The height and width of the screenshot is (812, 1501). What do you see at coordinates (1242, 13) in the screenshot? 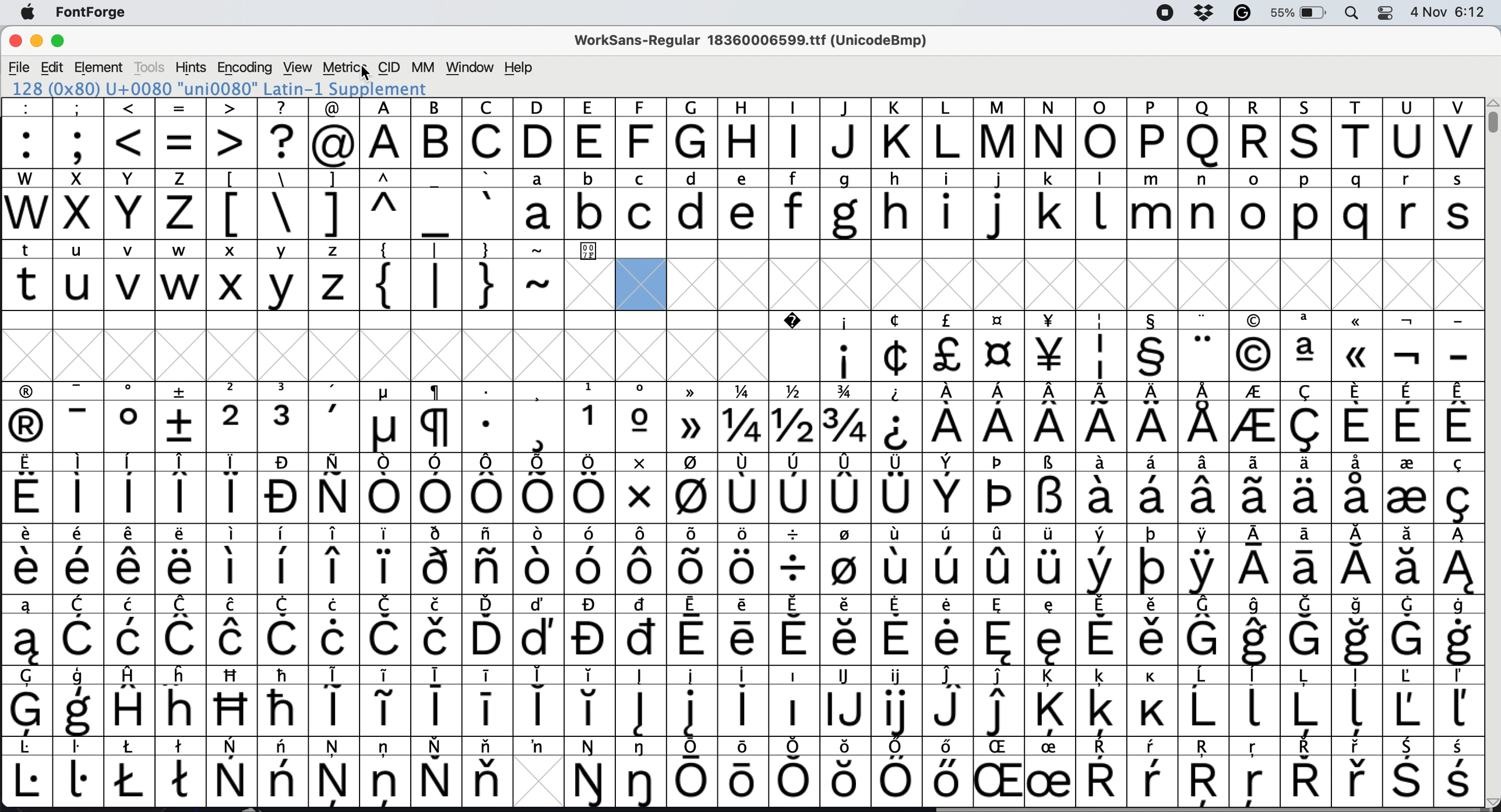
I see `grammarly` at bounding box center [1242, 13].